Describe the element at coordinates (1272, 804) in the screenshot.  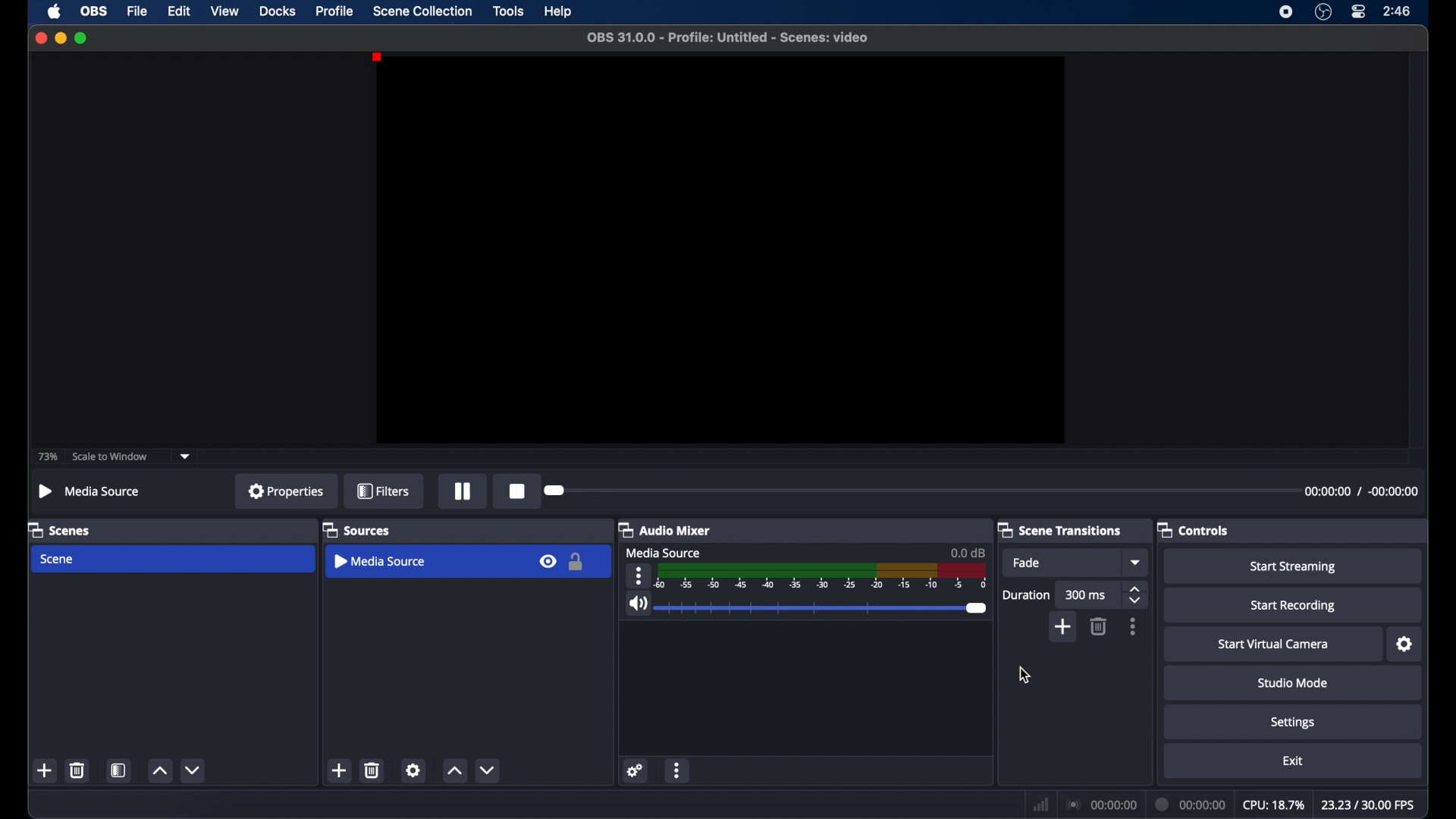
I see `cpu` at that location.